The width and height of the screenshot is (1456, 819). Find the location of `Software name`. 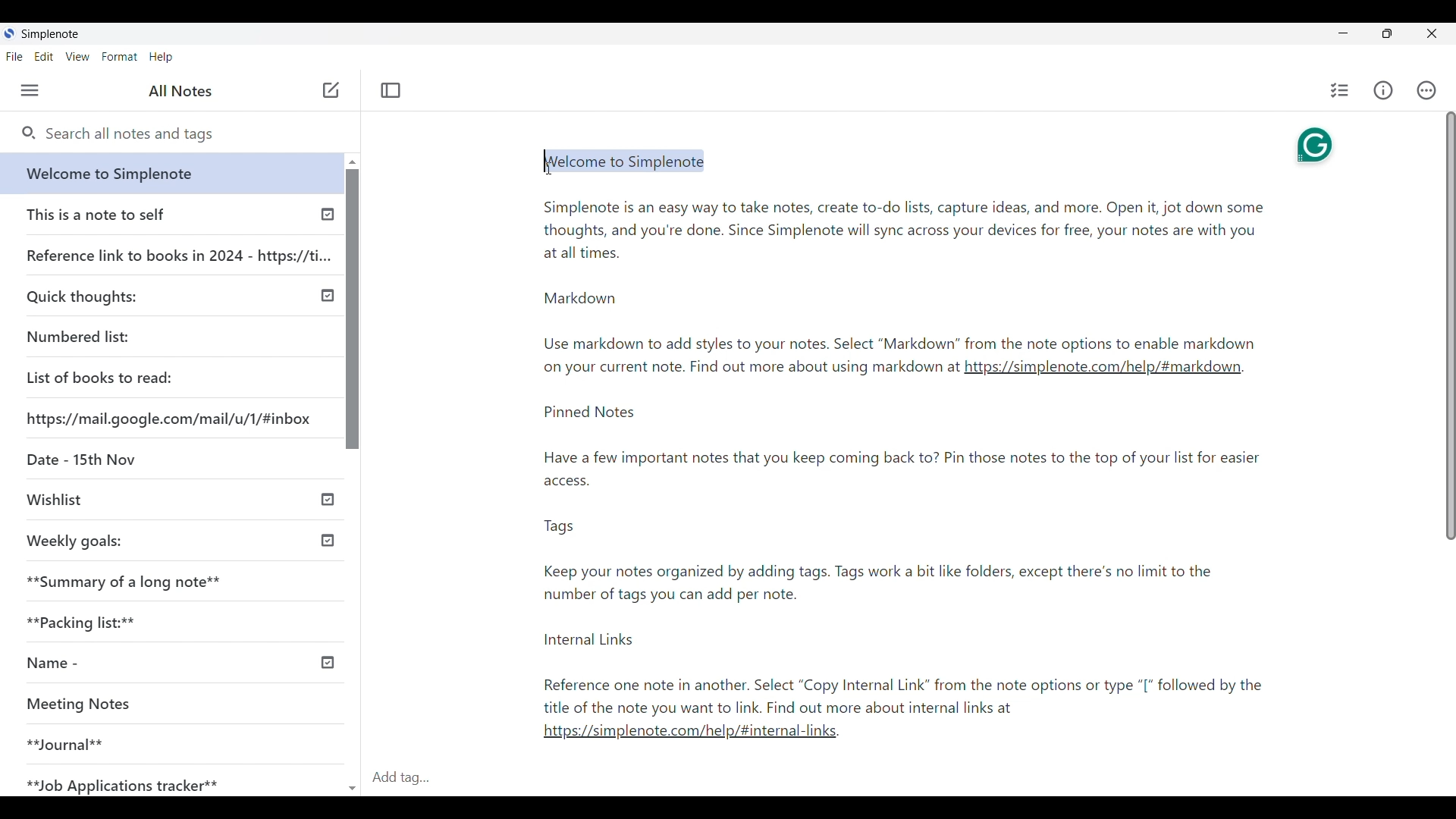

Software name is located at coordinates (49, 34).